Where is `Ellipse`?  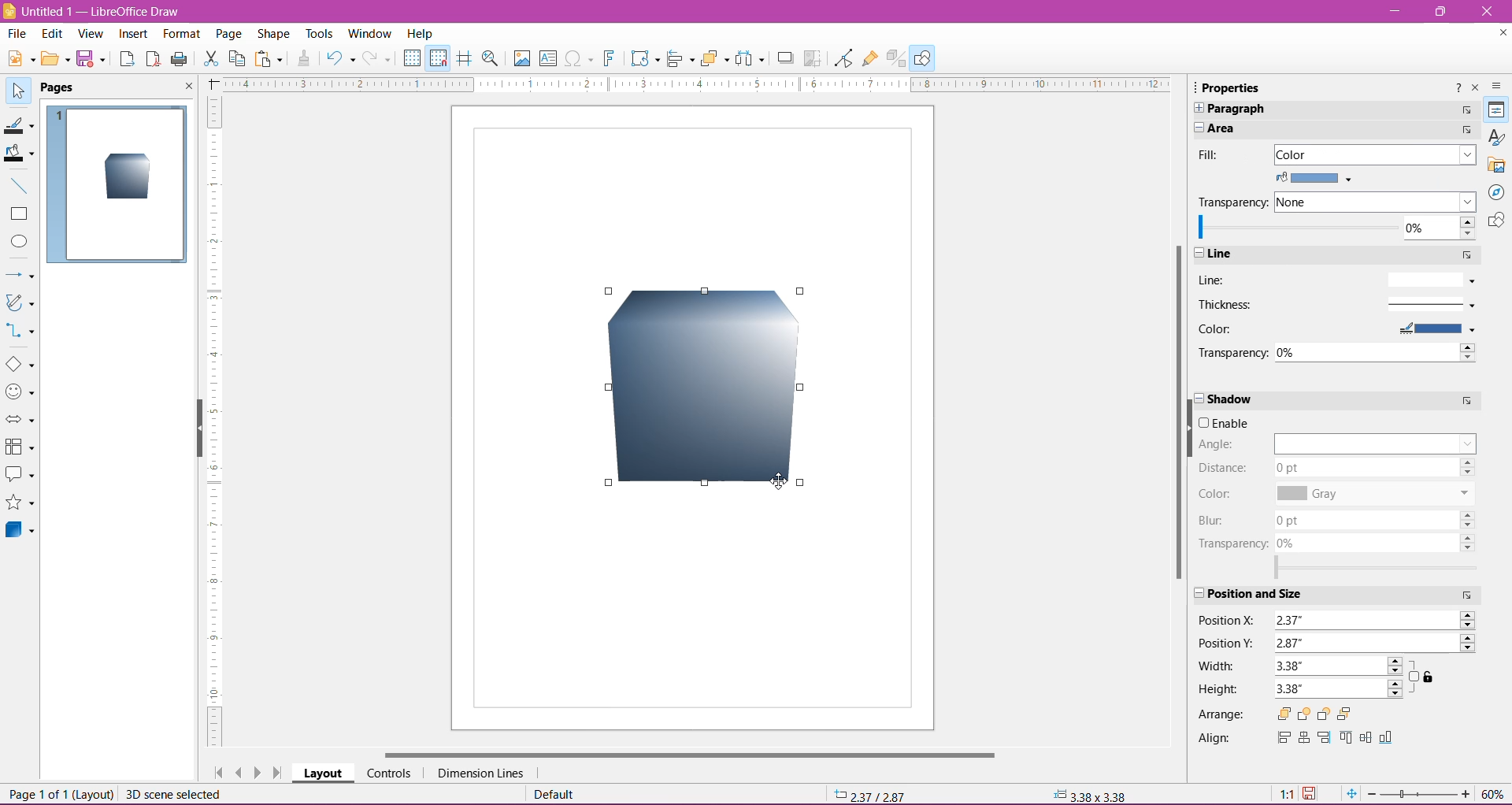
Ellipse is located at coordinates (18, 242).